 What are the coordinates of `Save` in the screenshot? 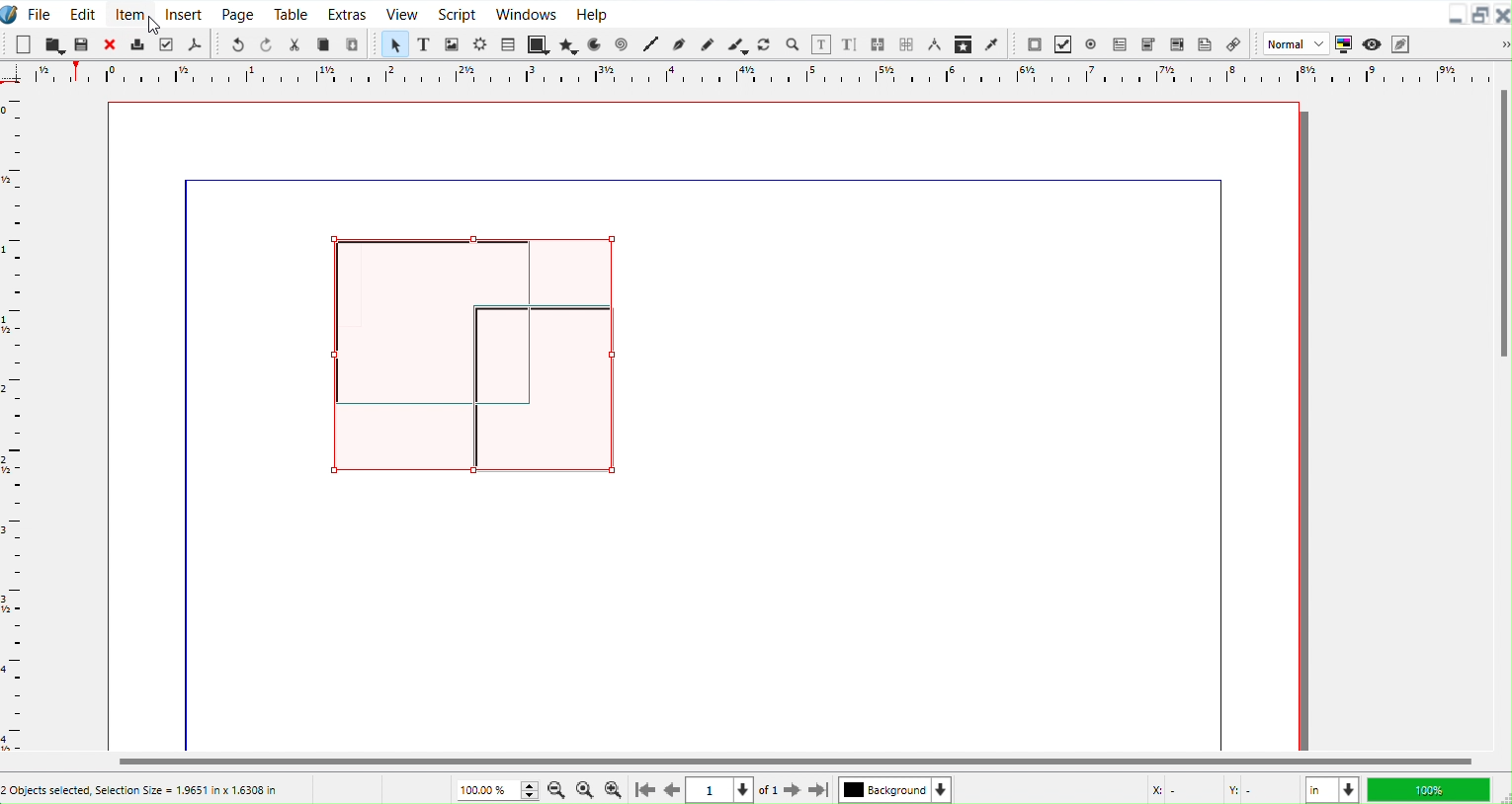 It's located at (82, 42).